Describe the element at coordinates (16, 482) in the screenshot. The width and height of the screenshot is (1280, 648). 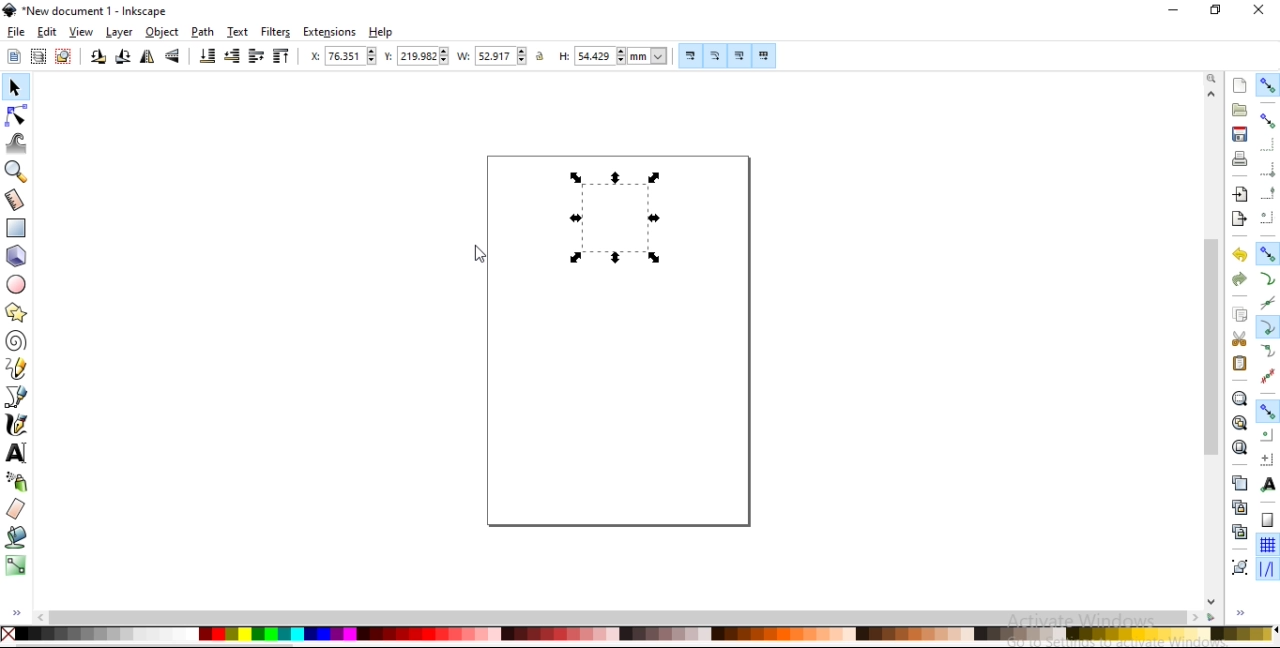
I see `spray objects by sculpting or painting` at that location.